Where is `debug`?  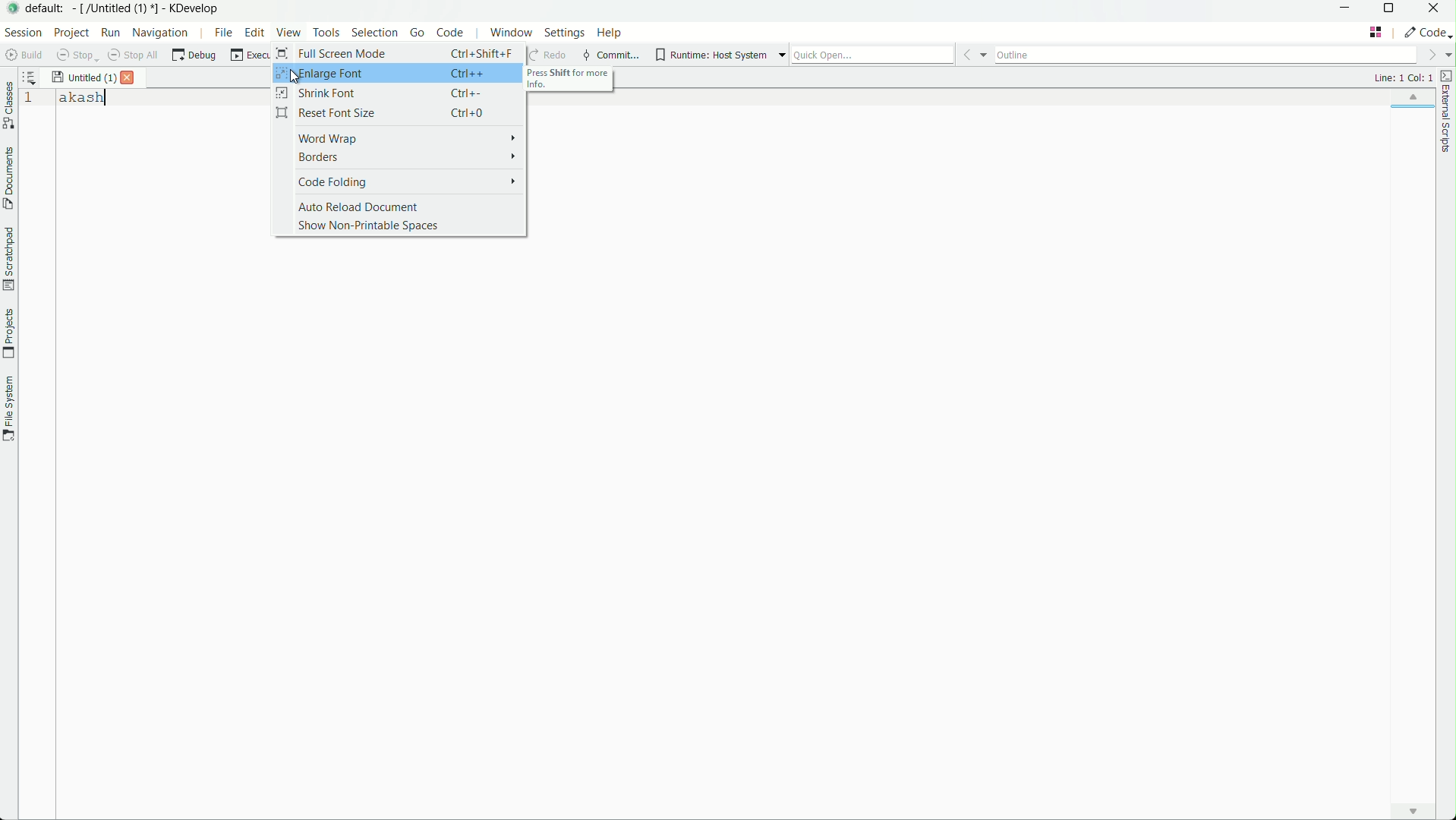
debug is located at coordinates (194, 56).